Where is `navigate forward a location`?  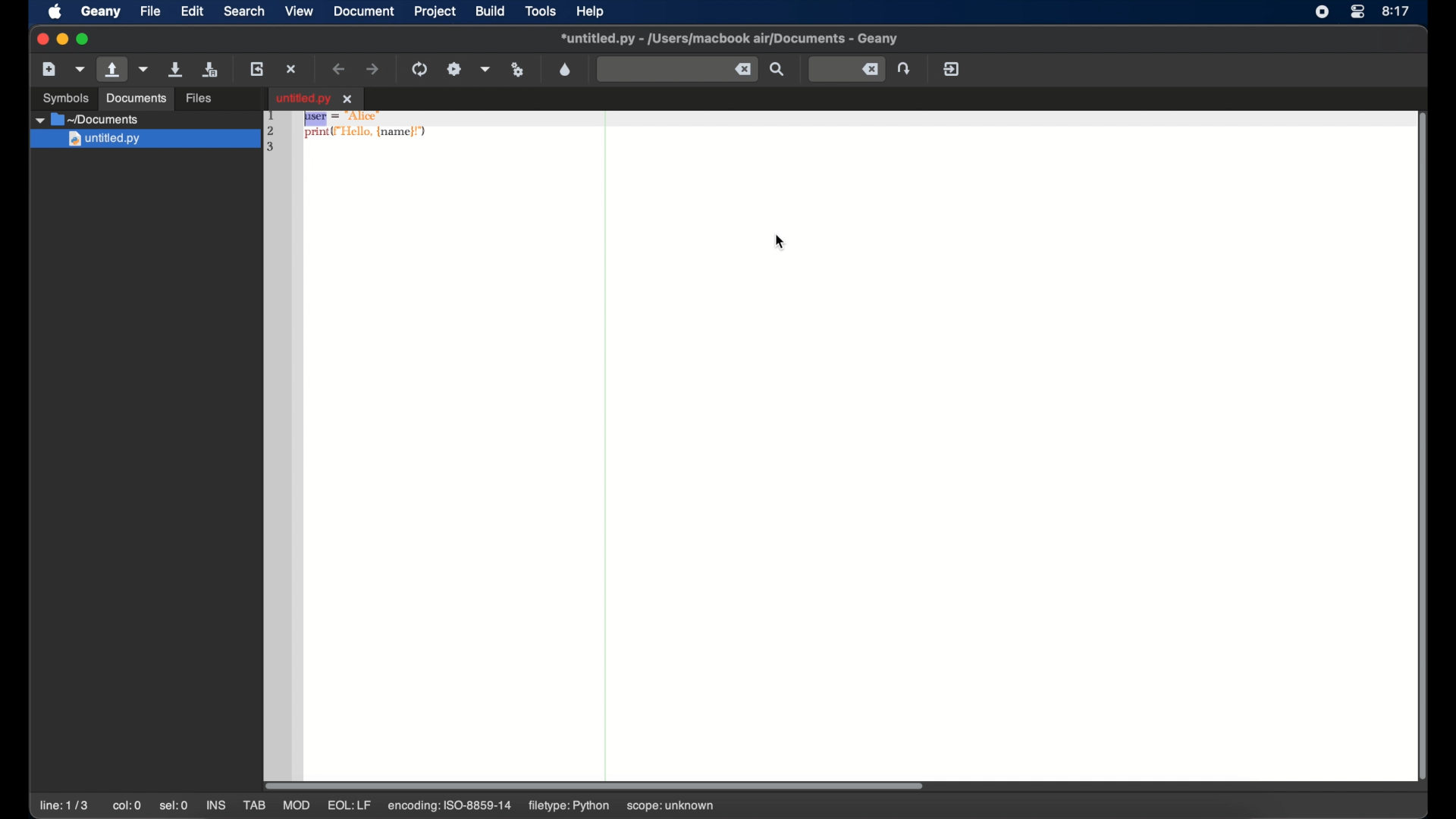
navigate forward a location is located at coordinates (374, 68).